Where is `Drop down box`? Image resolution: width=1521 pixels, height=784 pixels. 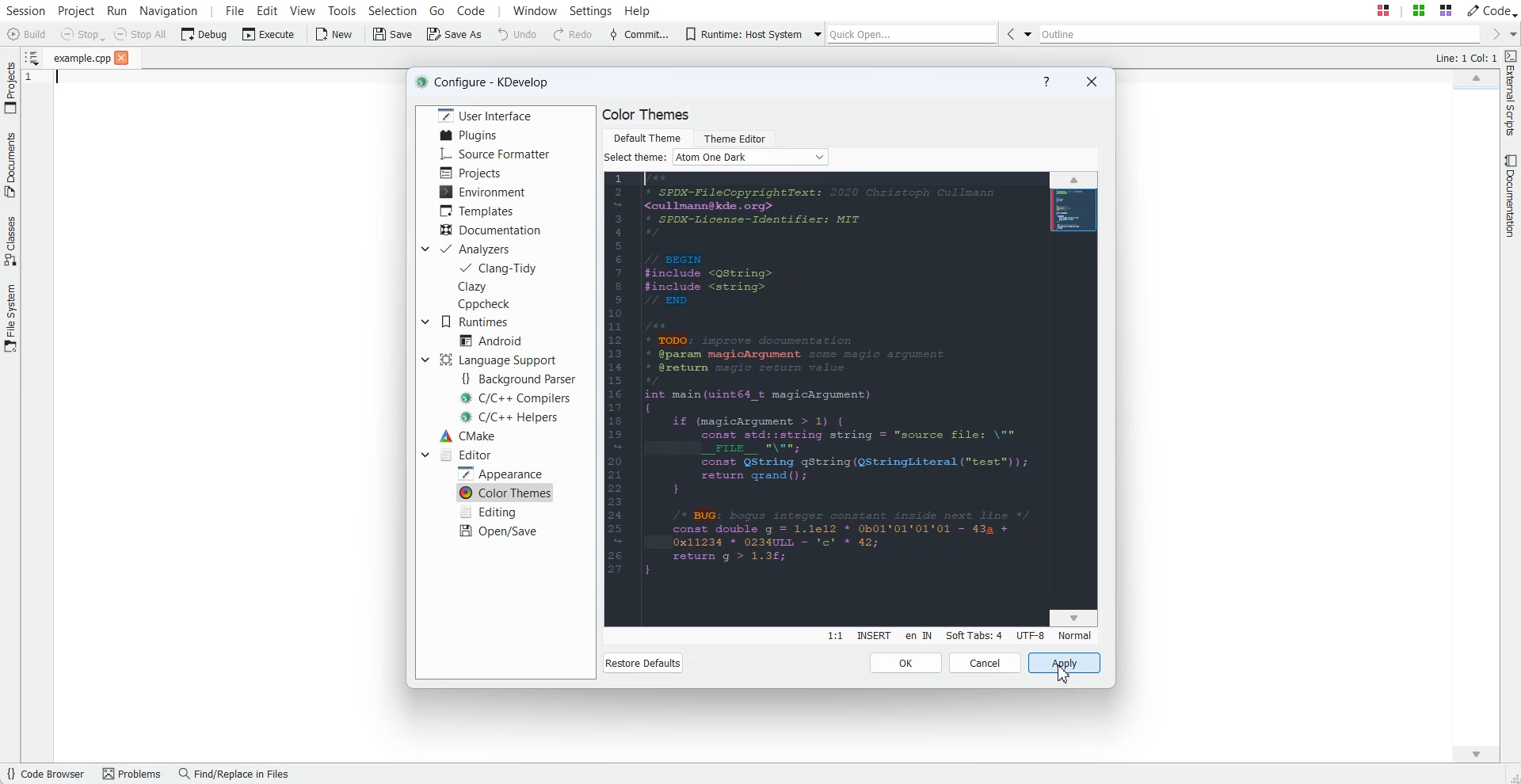 Drop down box is located at coordinates (424, 249).